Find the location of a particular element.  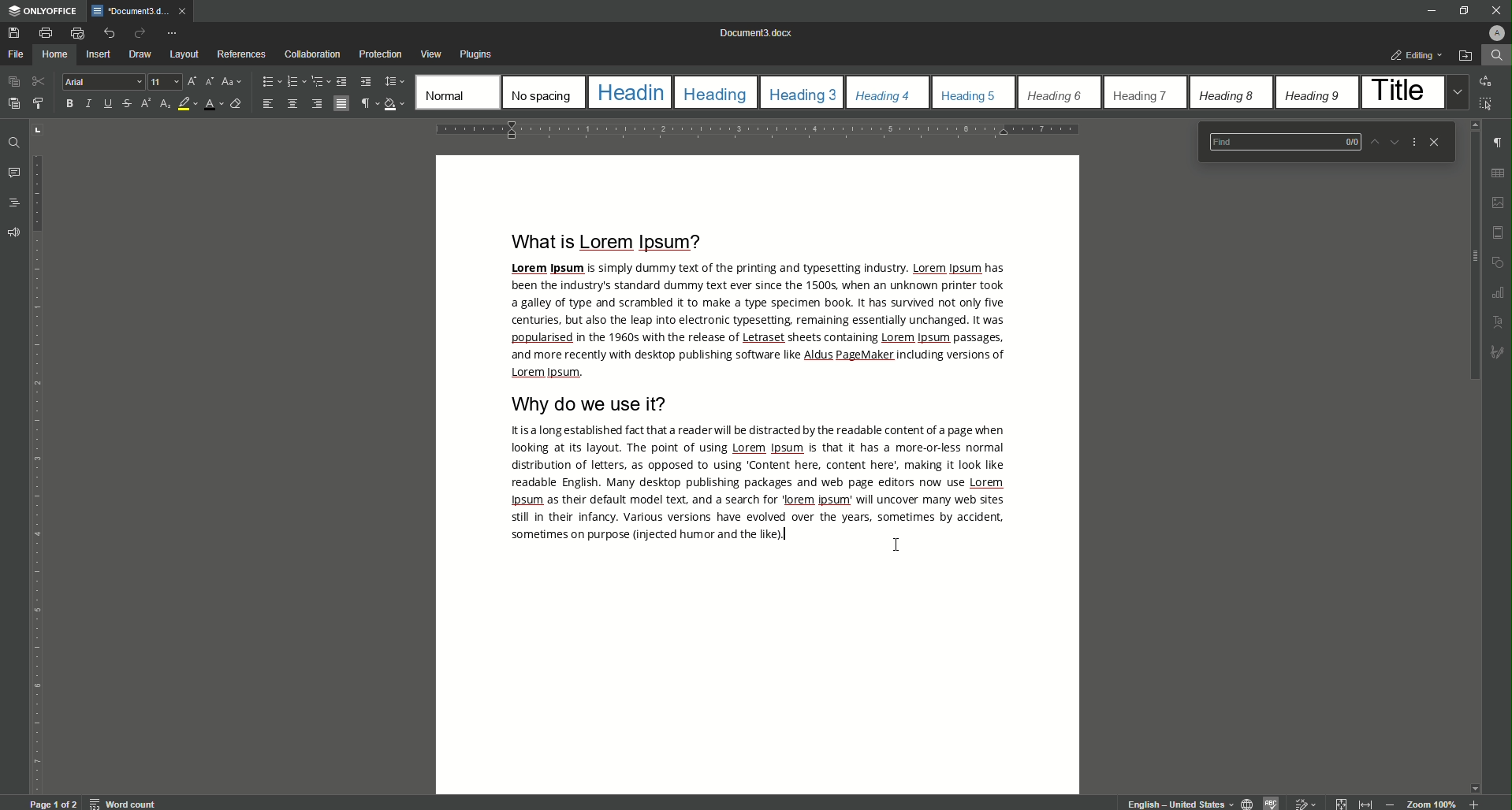

Decrease Indent is located at coordinates (343, 81).